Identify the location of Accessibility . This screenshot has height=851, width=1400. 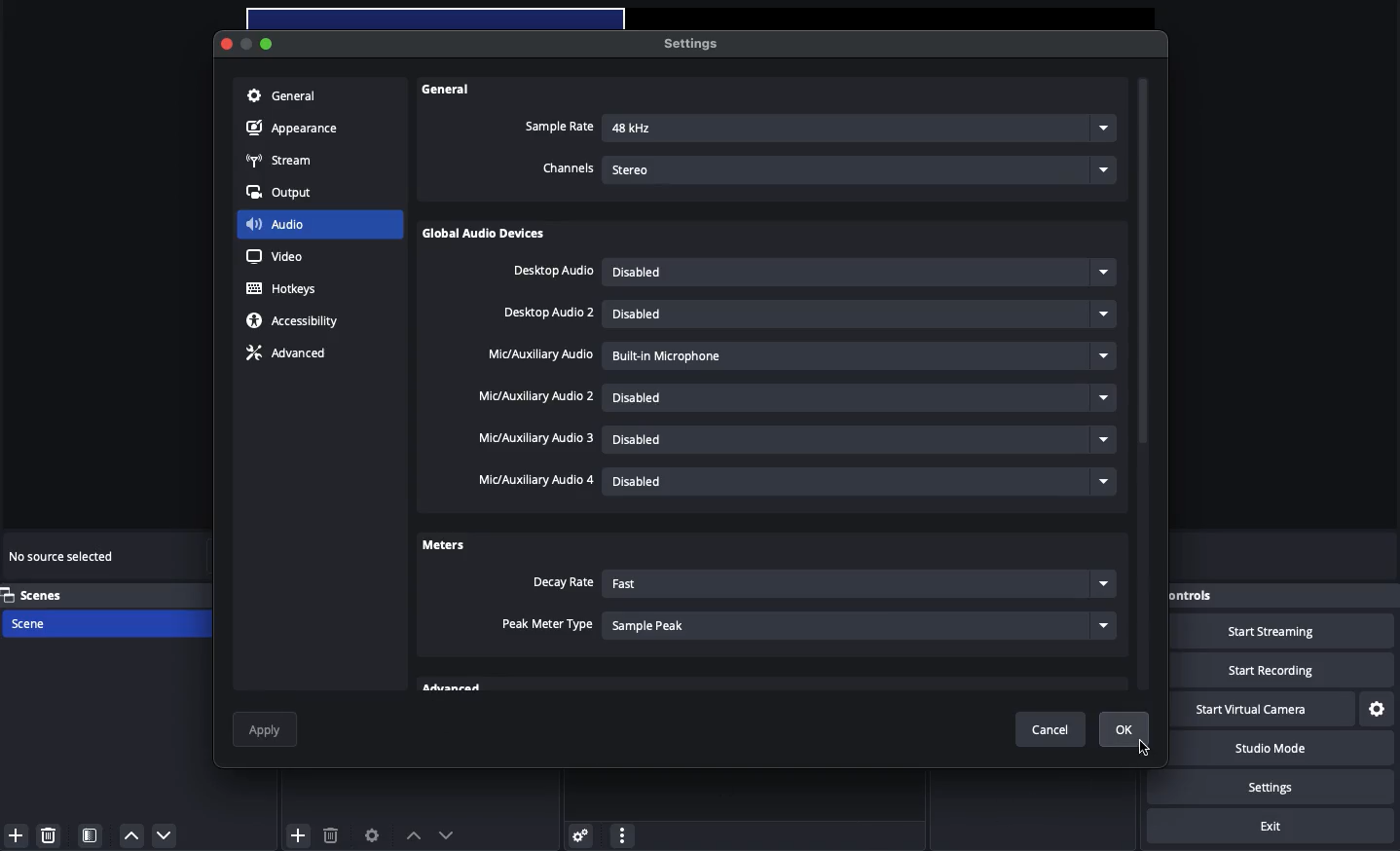
(296, 321).